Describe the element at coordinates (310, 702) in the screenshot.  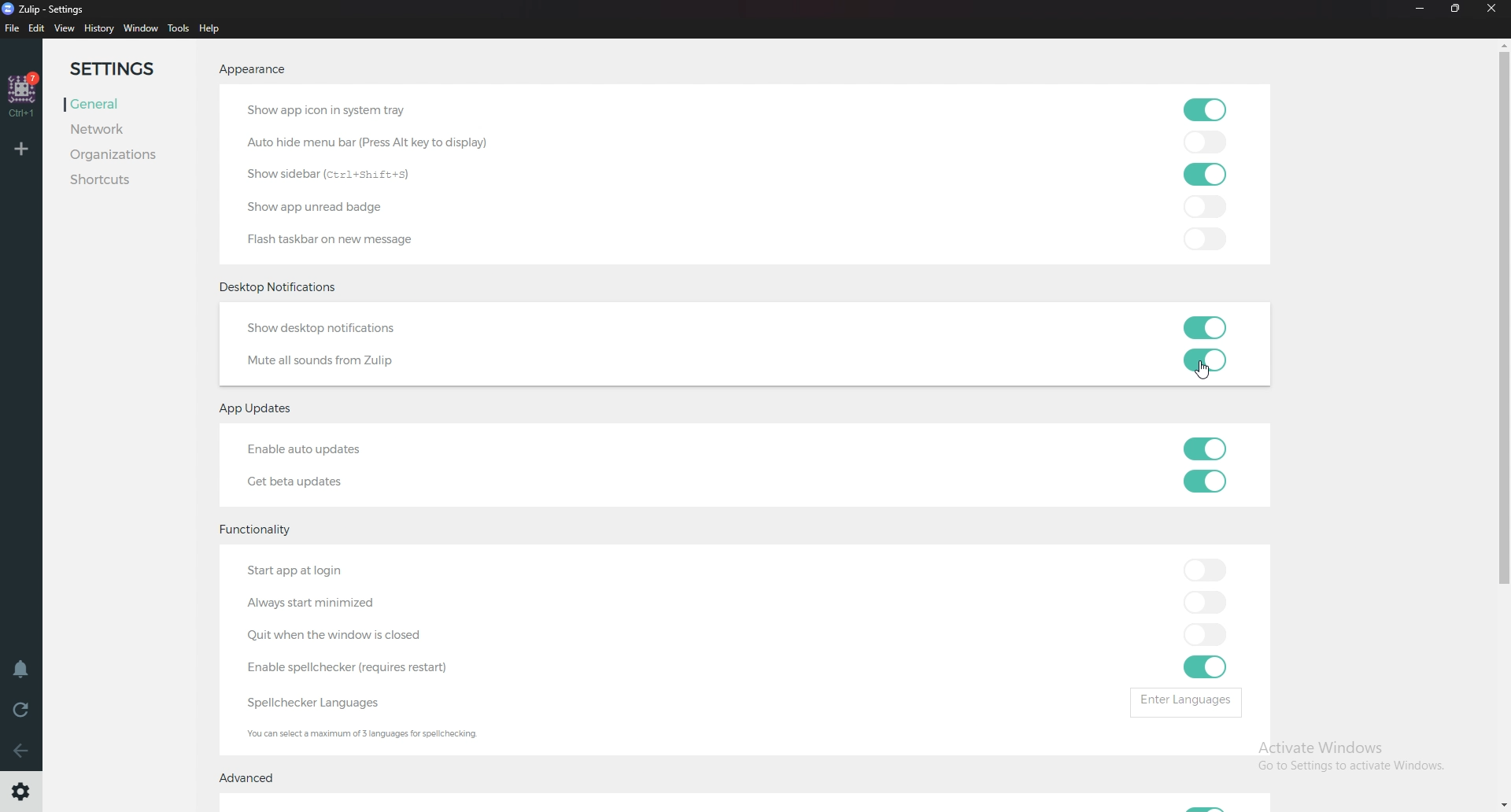
I see `Spell checker languages` at that location.